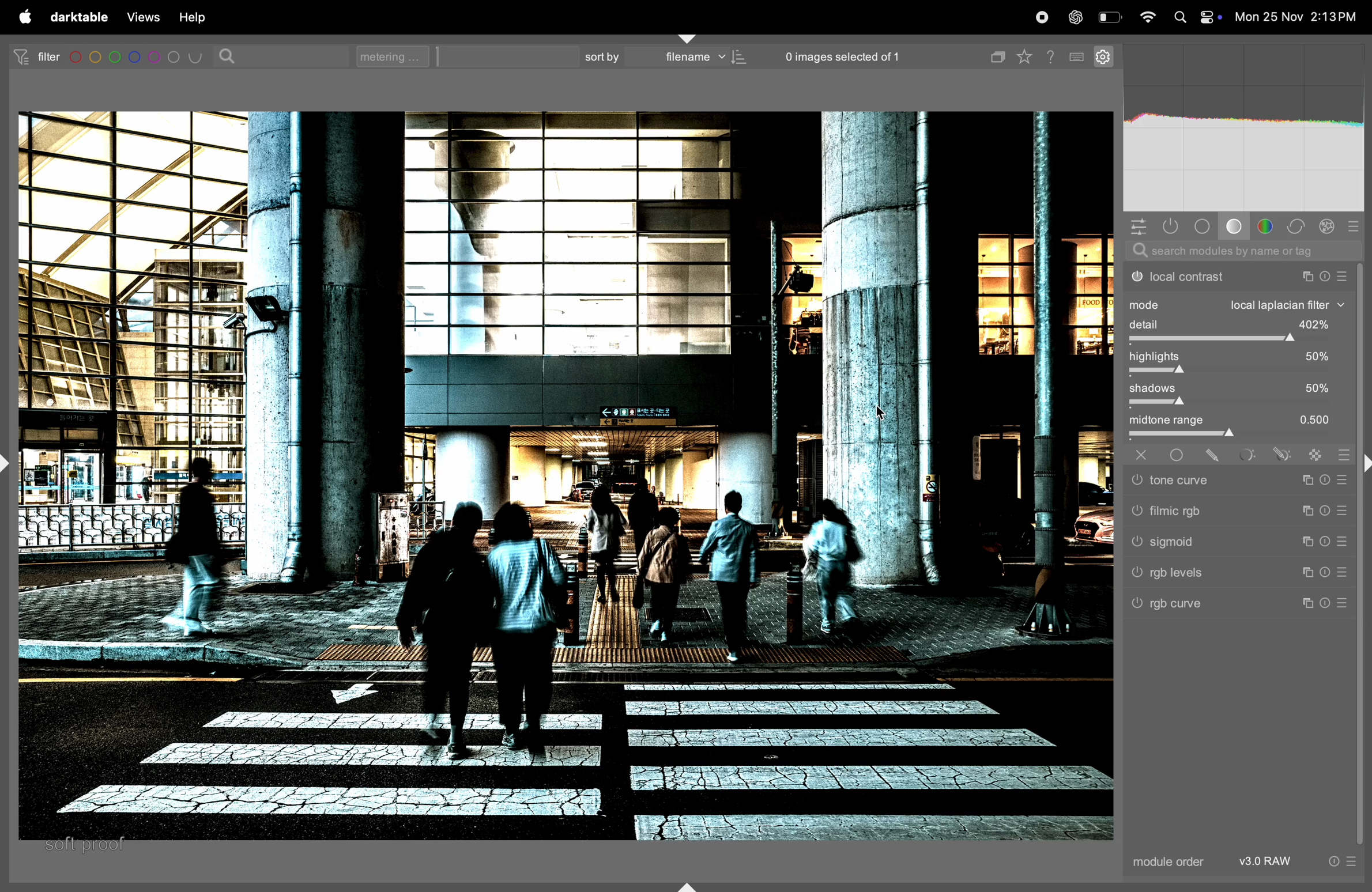 The width and height of the screenshot is (1372, 892). What do you see at coordinates (884, 411) in the screenshot?
I see `cursor` at bounding box center [884, 411].